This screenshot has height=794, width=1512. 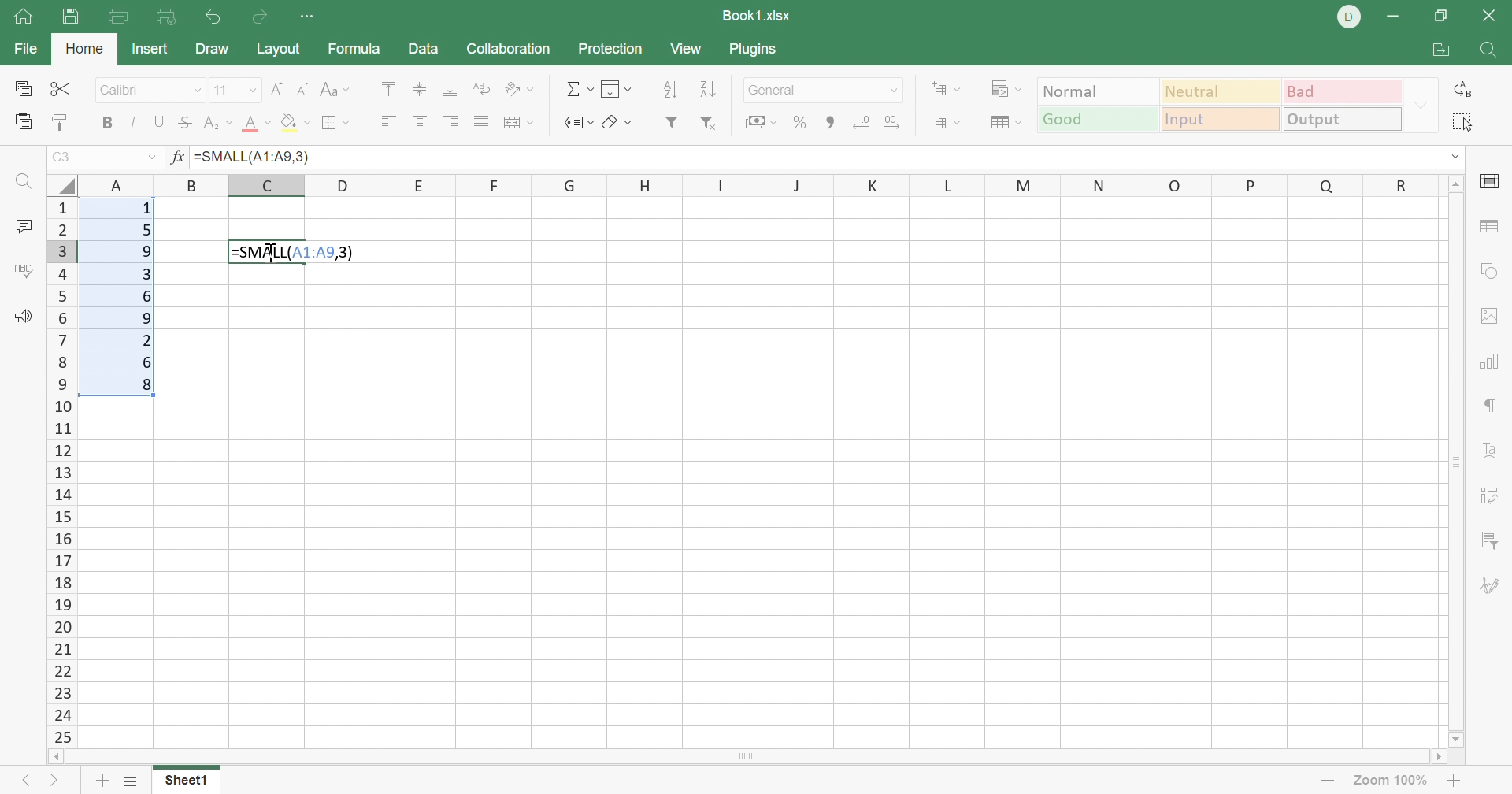 What do you see at coordinates (1492, 180) in the screenshot?
I see `Slide settings` at bounding box center [1492, 180].